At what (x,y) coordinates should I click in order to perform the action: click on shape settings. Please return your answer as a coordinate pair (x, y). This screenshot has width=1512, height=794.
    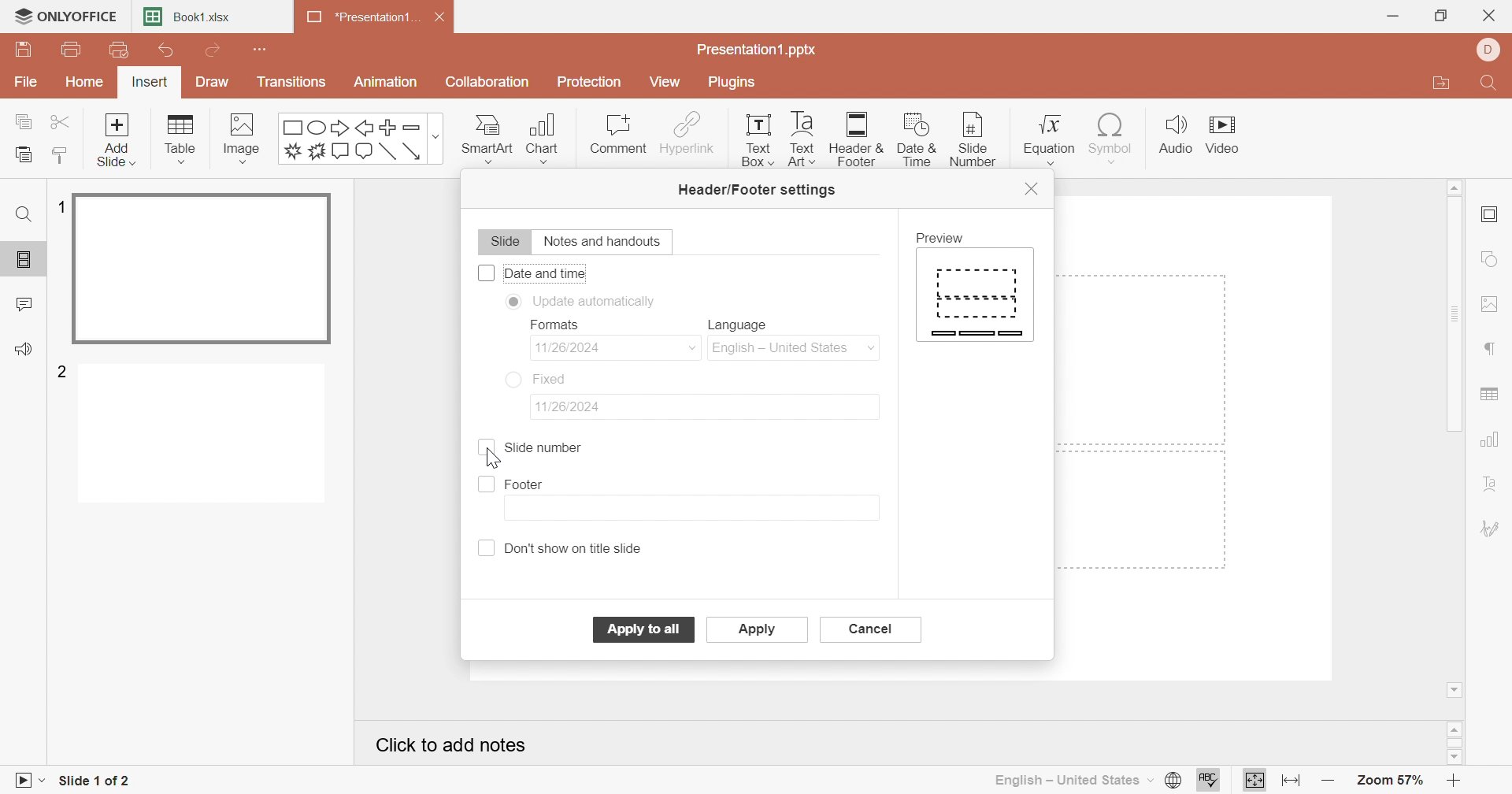
    Looking at the image, I should click on (1496, 261).